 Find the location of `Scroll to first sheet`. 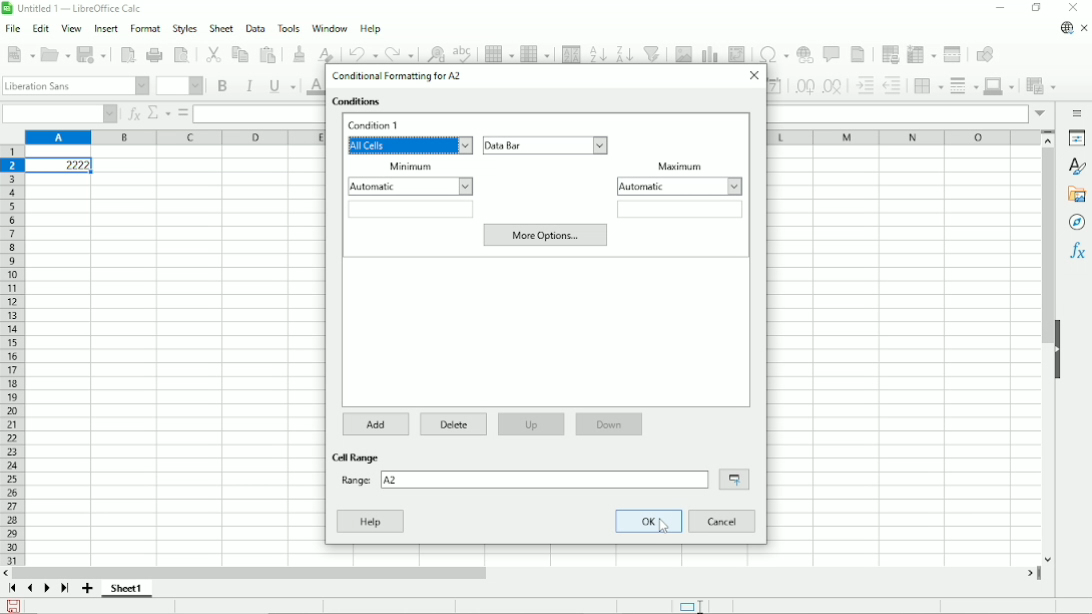

Scroll to first sheet is located at coordinates (12, 588).